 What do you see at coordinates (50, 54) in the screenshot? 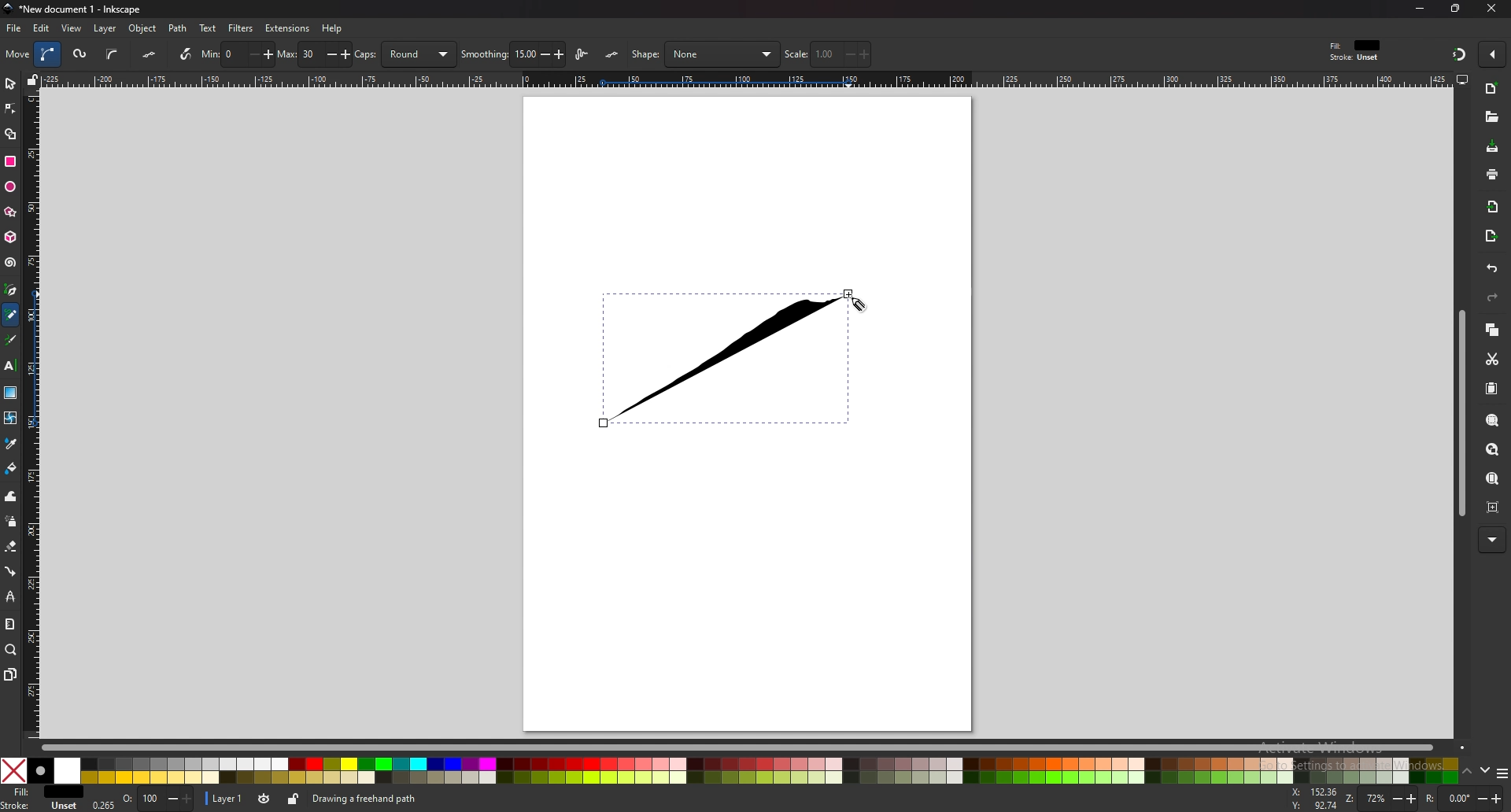
I see `bezier path` at bounding box center [50, 54].